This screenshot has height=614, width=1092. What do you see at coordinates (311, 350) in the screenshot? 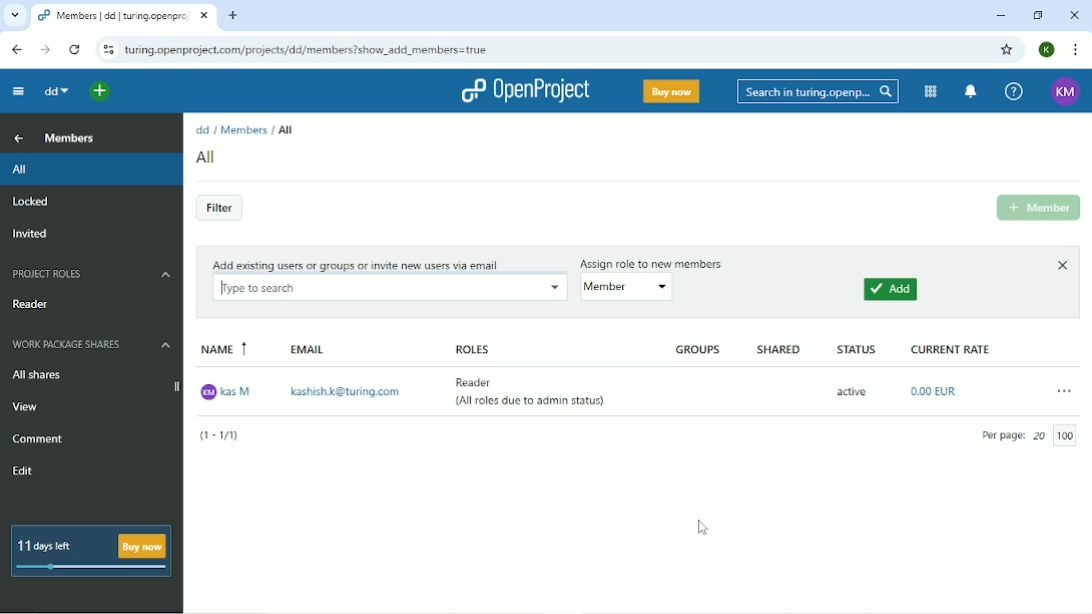
I see `Email` at bounding box center [311, 350].